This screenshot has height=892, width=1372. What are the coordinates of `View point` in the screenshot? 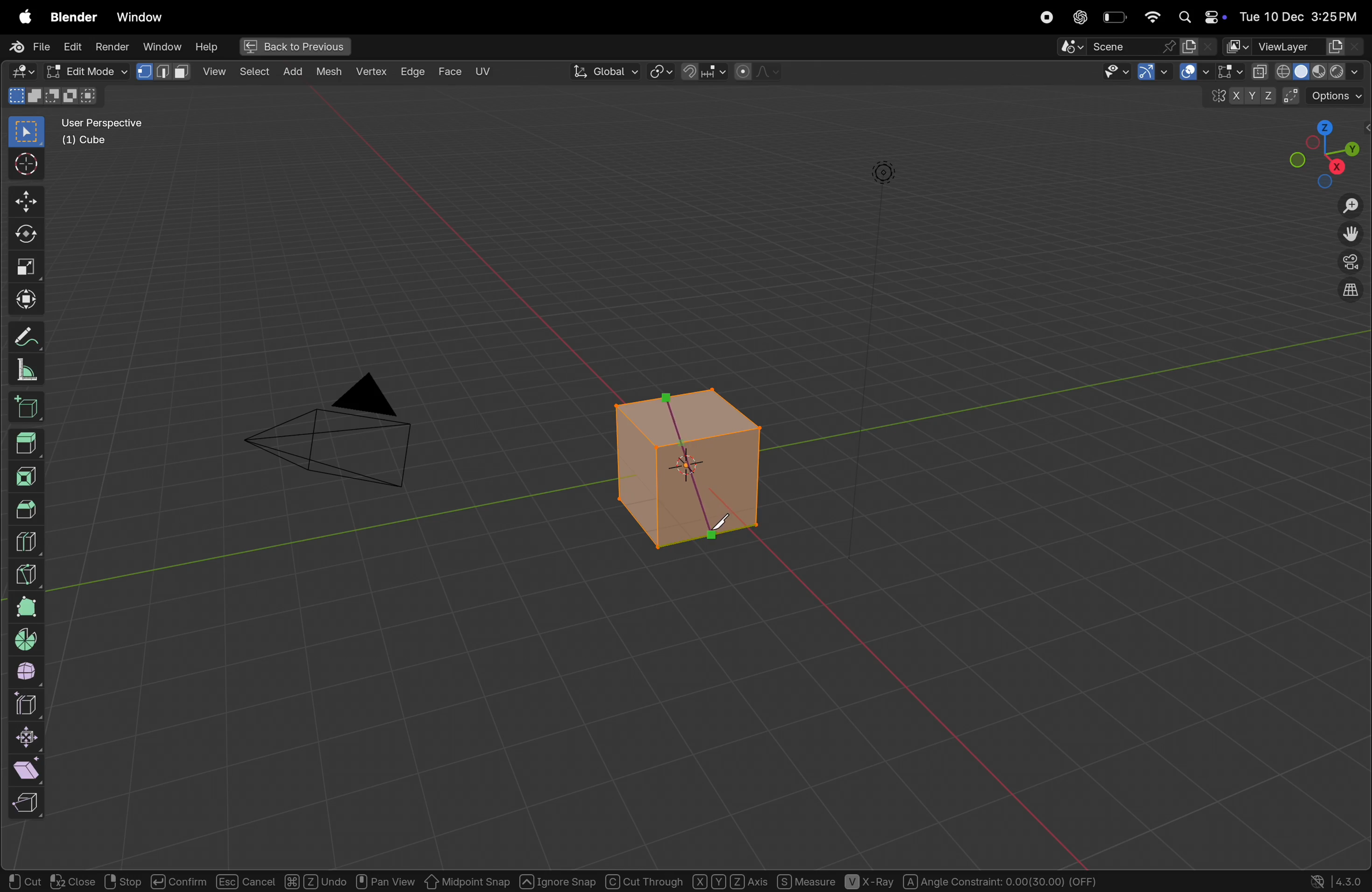 It's located at (1326, 152).